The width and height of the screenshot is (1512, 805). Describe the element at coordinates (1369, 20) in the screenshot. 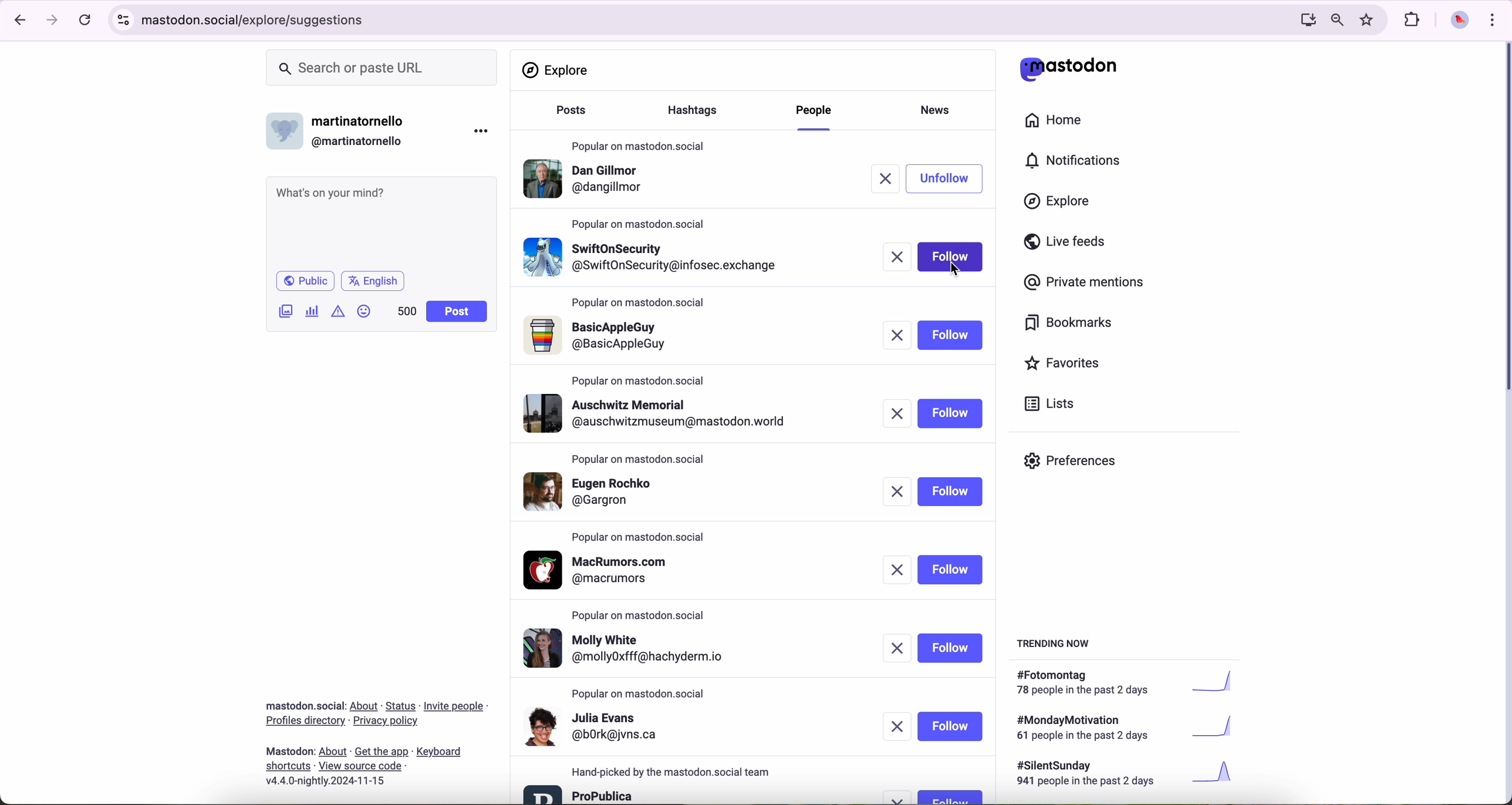

I see `favorites` at that location.